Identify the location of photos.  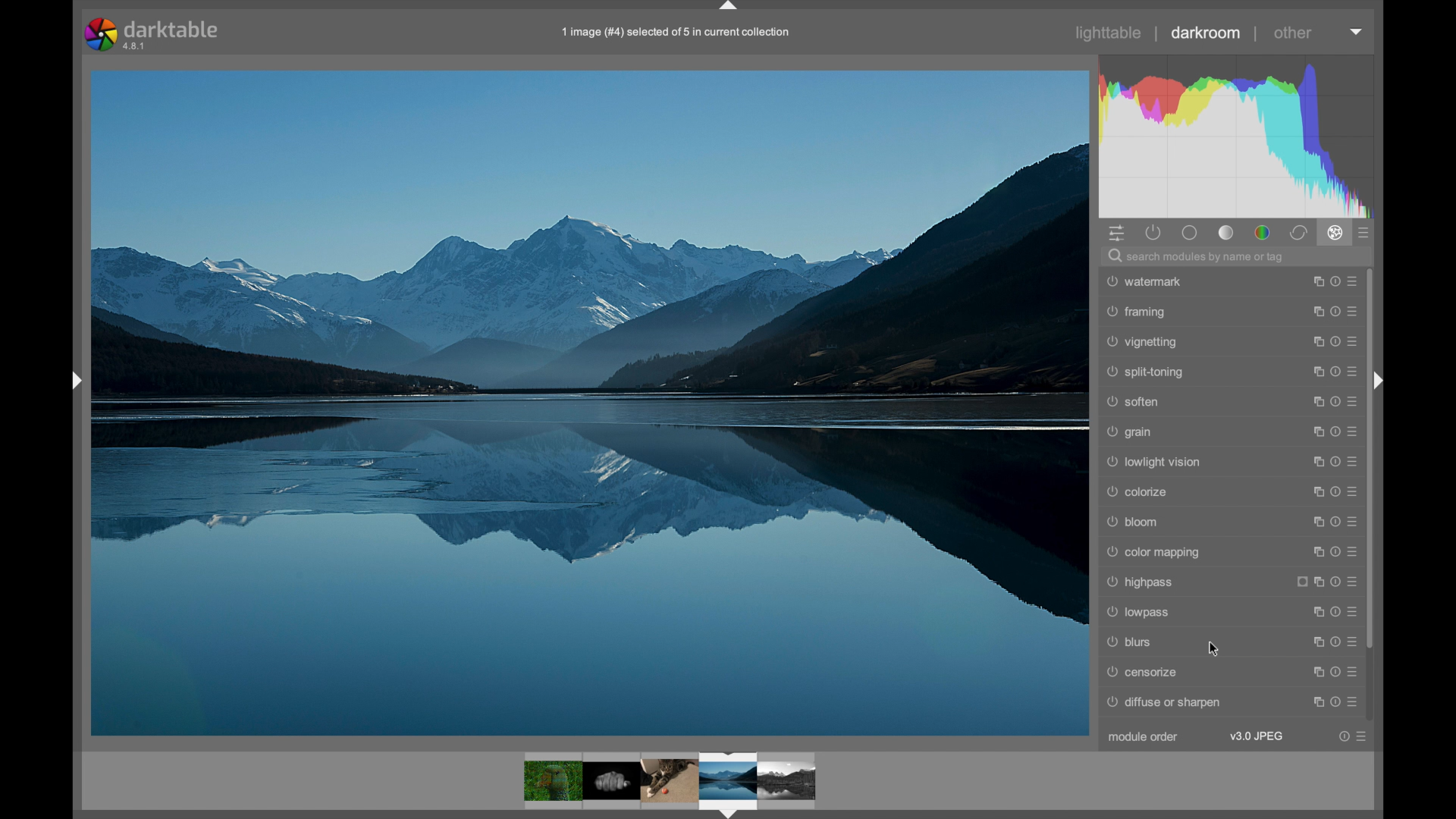
(670, 783).